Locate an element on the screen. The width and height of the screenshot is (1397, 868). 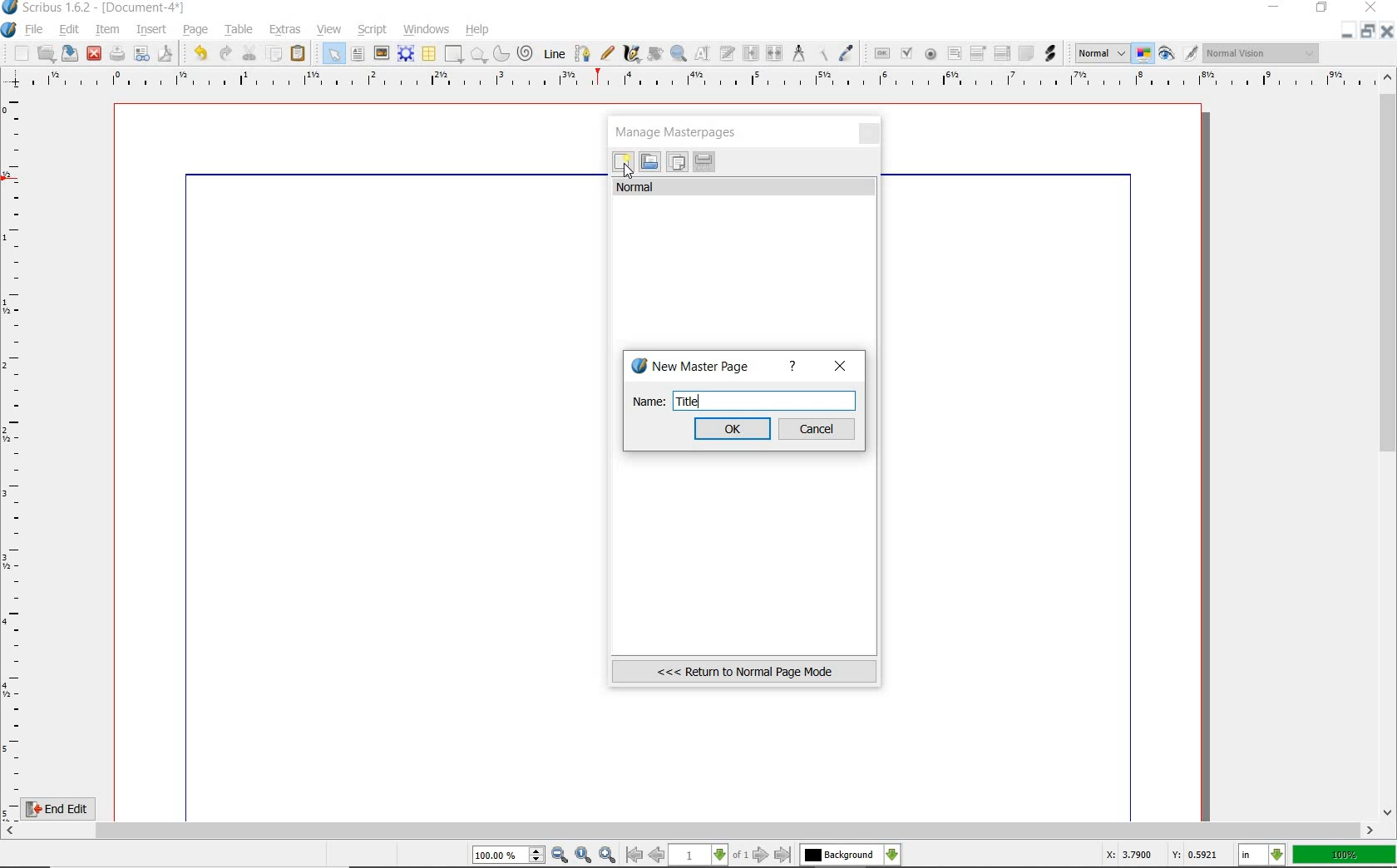
copy is located at coordinates (274, 52).